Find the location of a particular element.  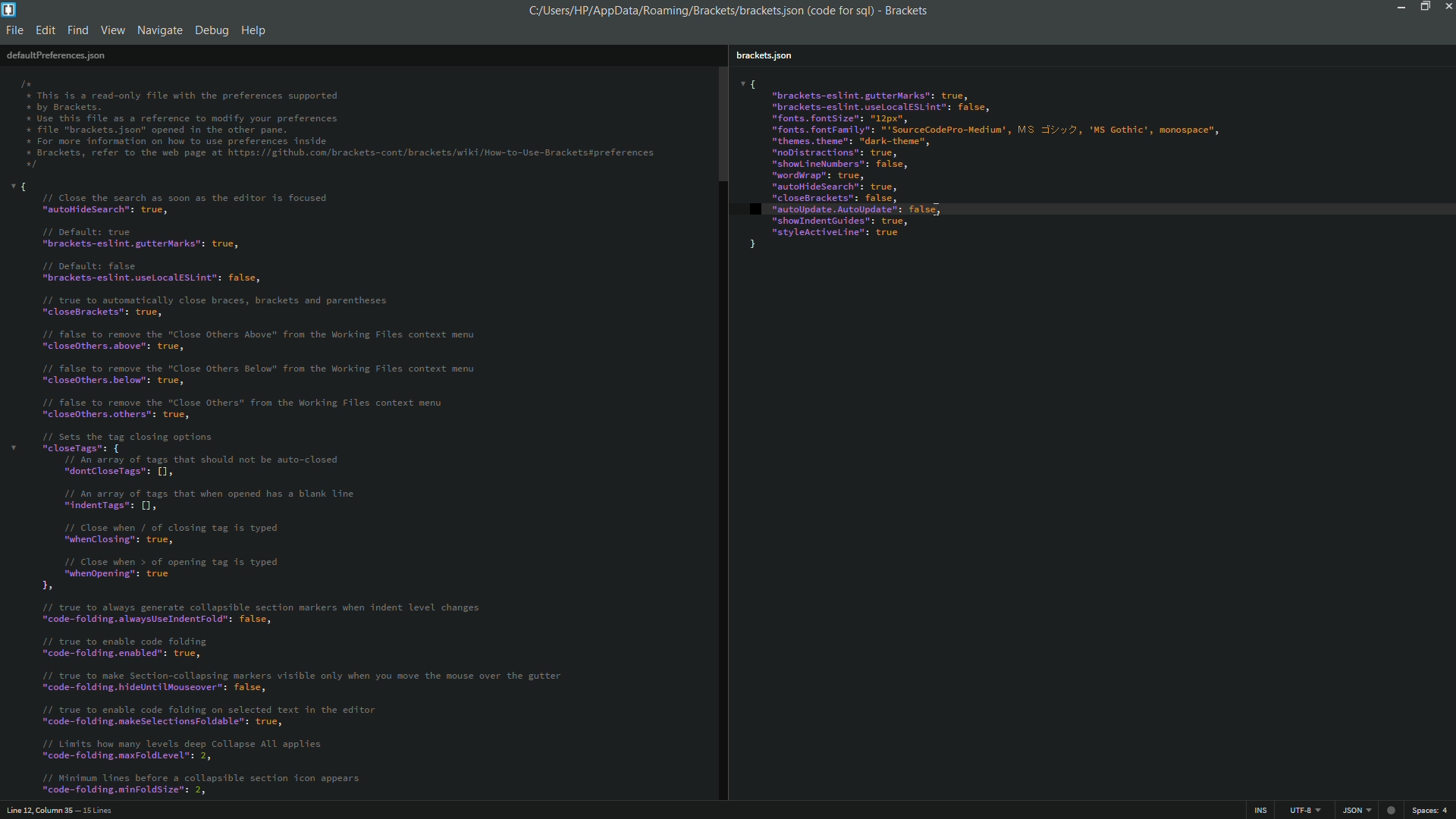

scrollbar is located at coordinates (721, 123).